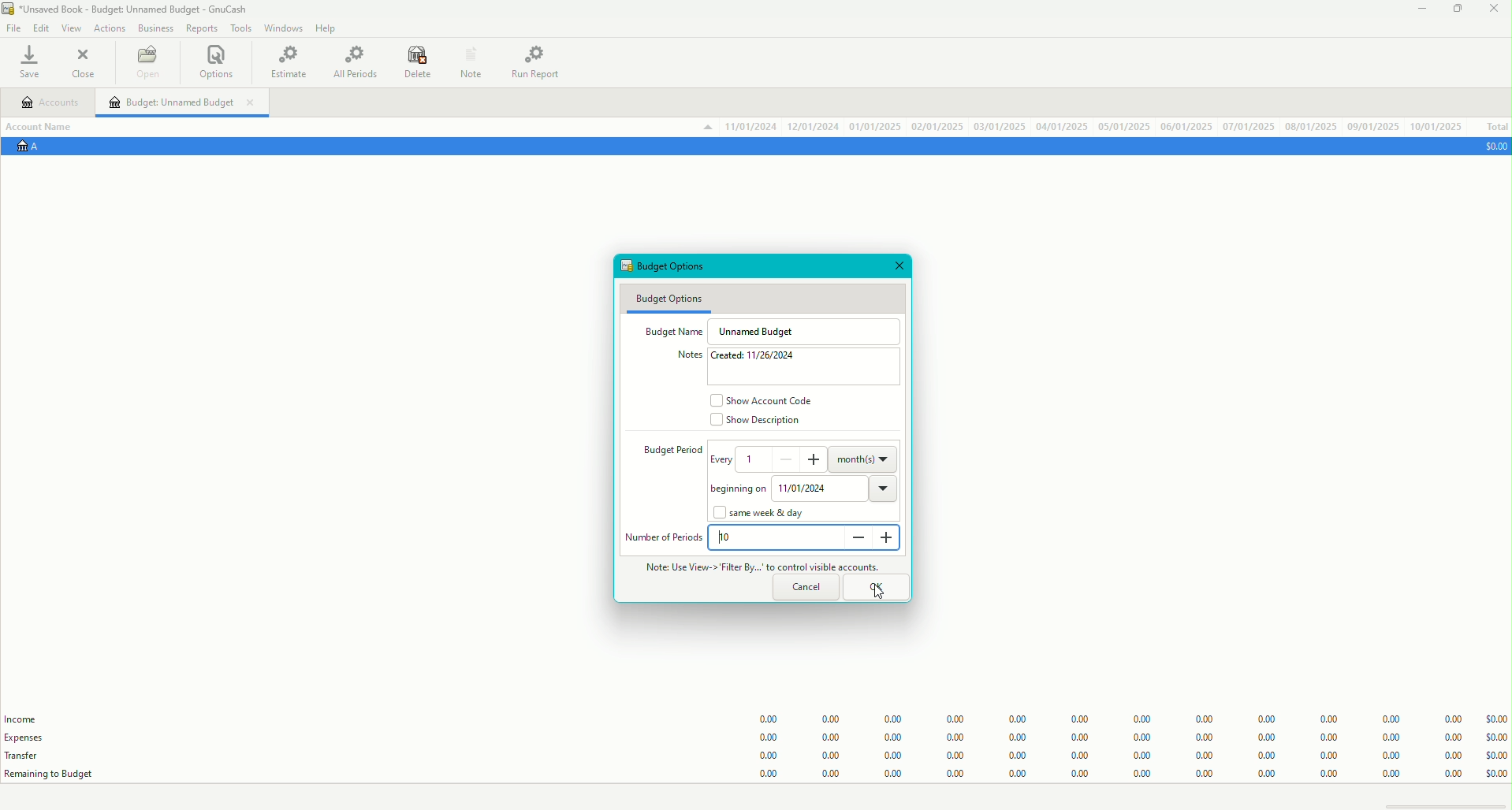 Image resolution: width=1512 pixels, height=810 pixels. What do you see at coordinates (670, 330) in the screenshot?
I see `Budget Name.` at bounding box center [670, 330].